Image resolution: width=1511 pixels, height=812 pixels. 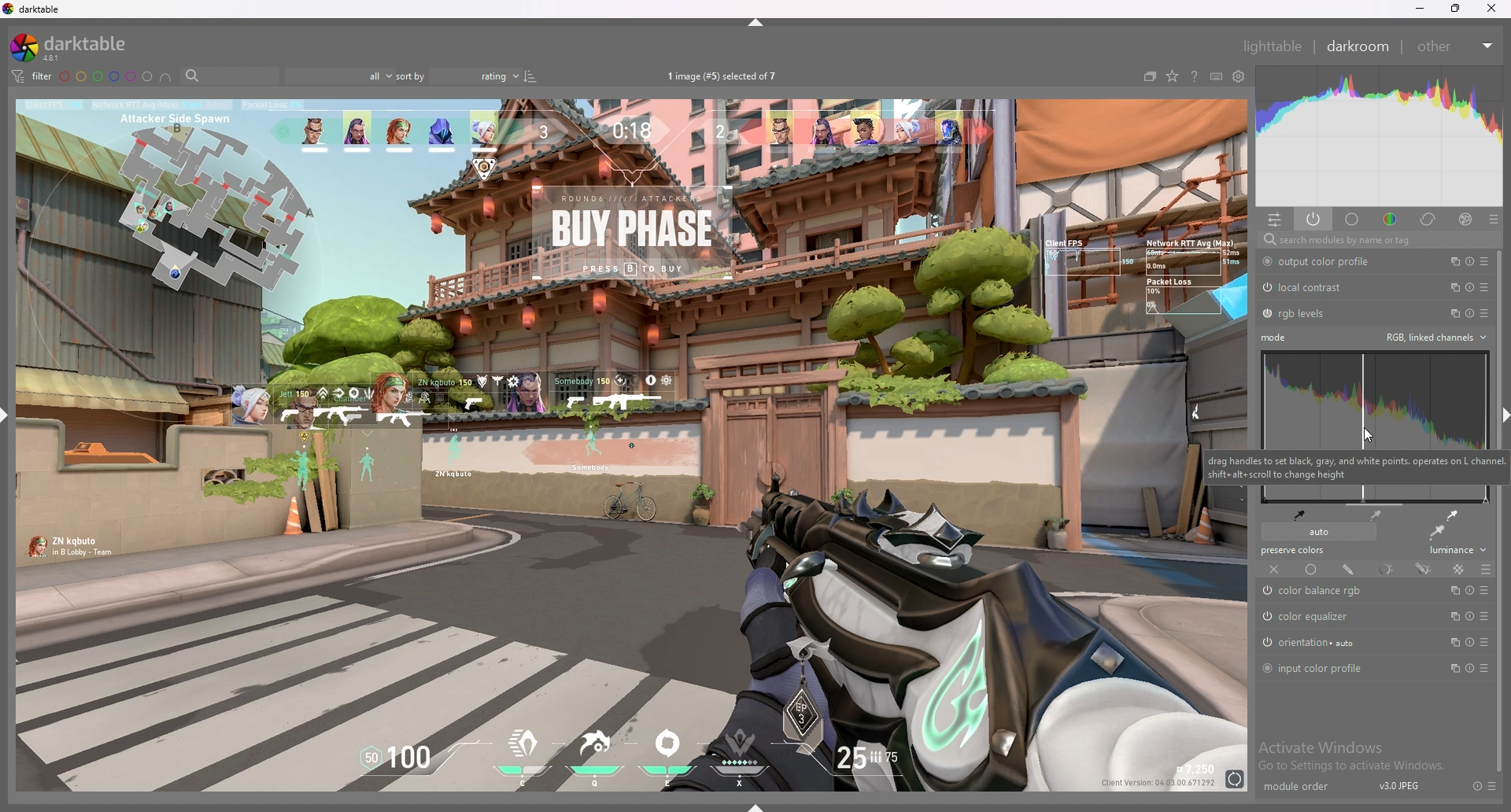 I want to click on Switched on, so click(x=1264, y=643).